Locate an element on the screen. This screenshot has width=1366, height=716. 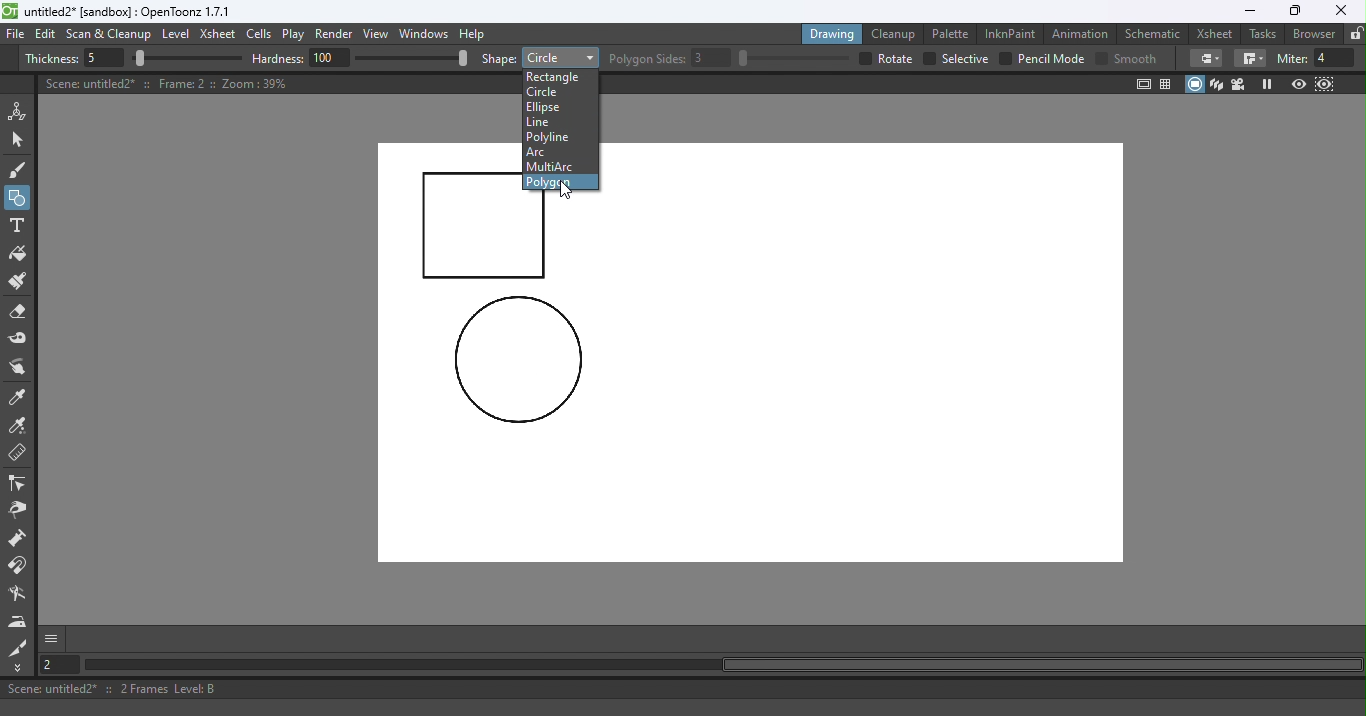
Finger tool is located at coordinates (18, 369).